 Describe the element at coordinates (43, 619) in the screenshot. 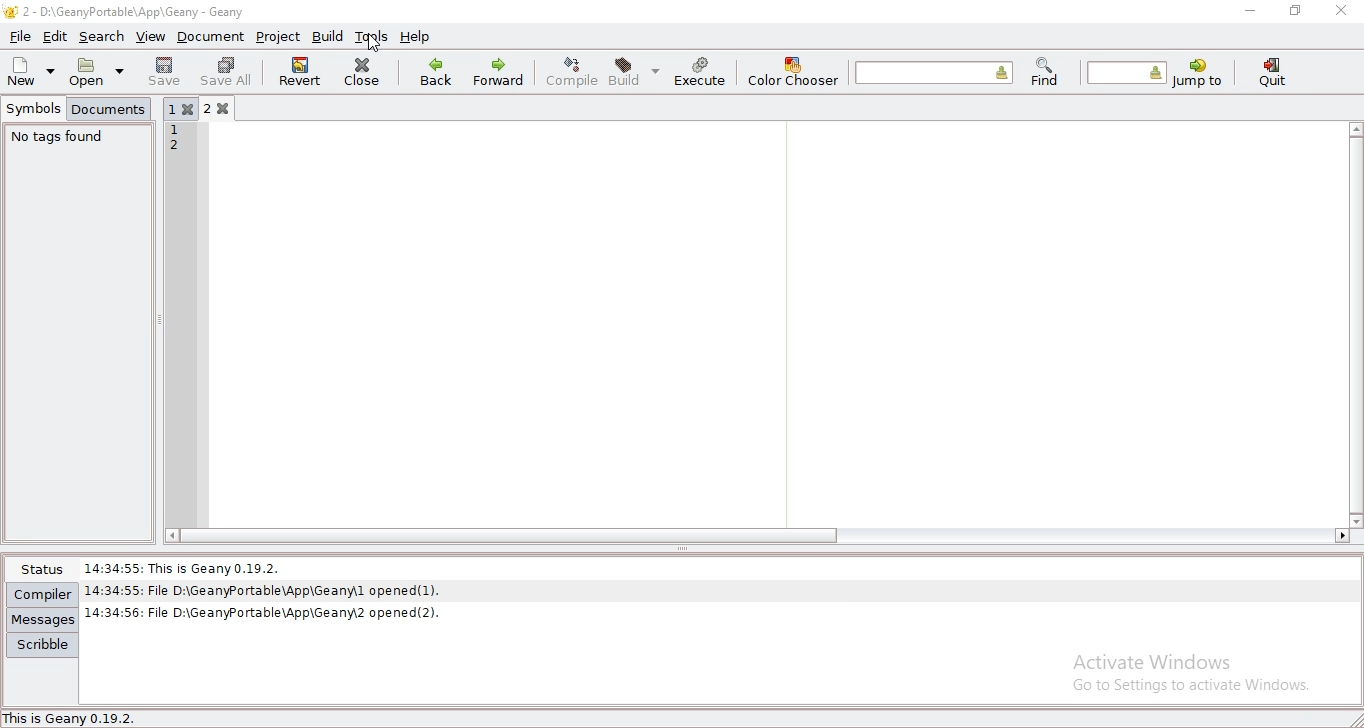

I see `messages` at that location.